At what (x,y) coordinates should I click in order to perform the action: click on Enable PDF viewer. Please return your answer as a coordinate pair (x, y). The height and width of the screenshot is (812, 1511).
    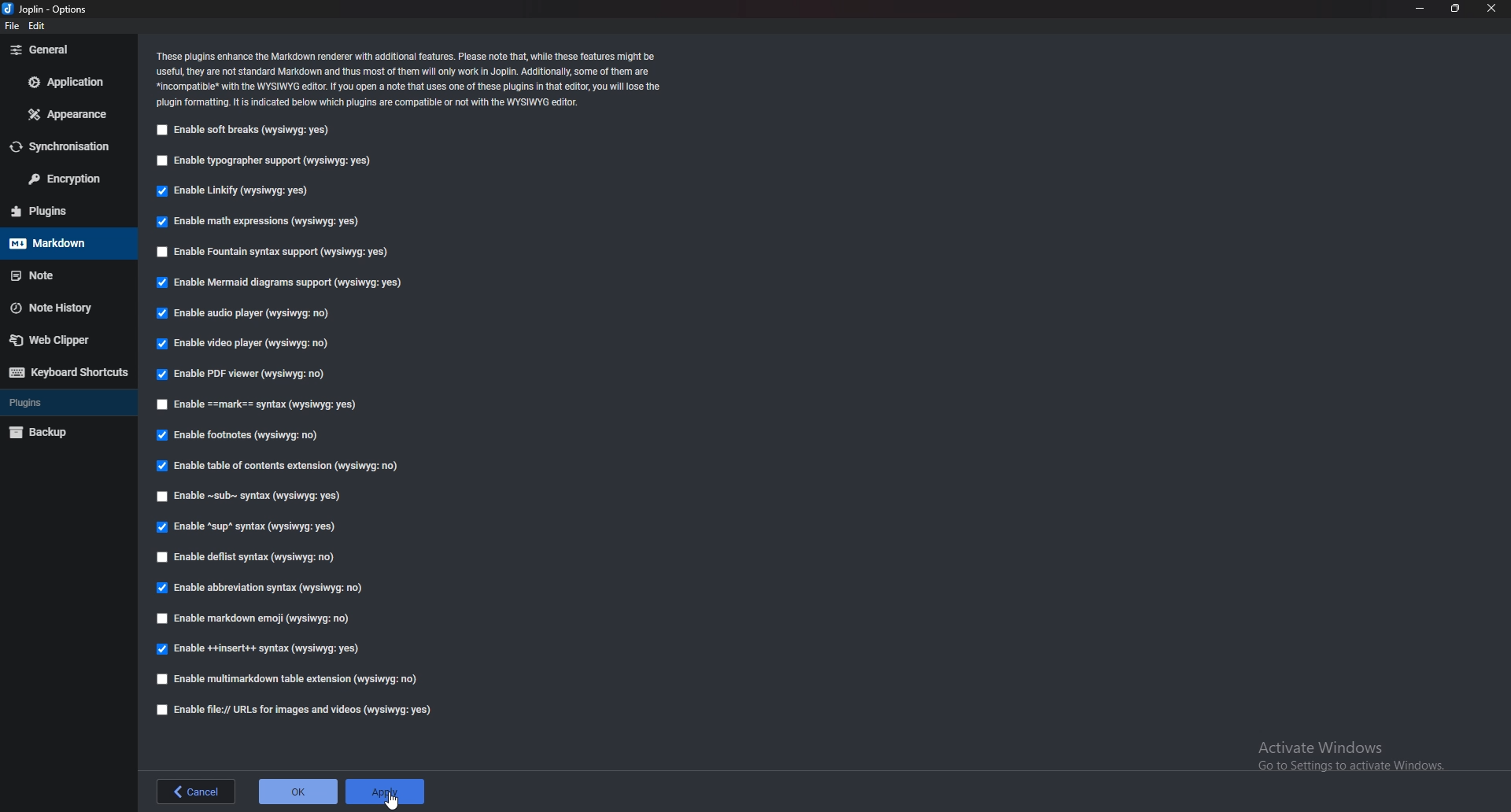
    Looking at the image, I should click on (250, 375).